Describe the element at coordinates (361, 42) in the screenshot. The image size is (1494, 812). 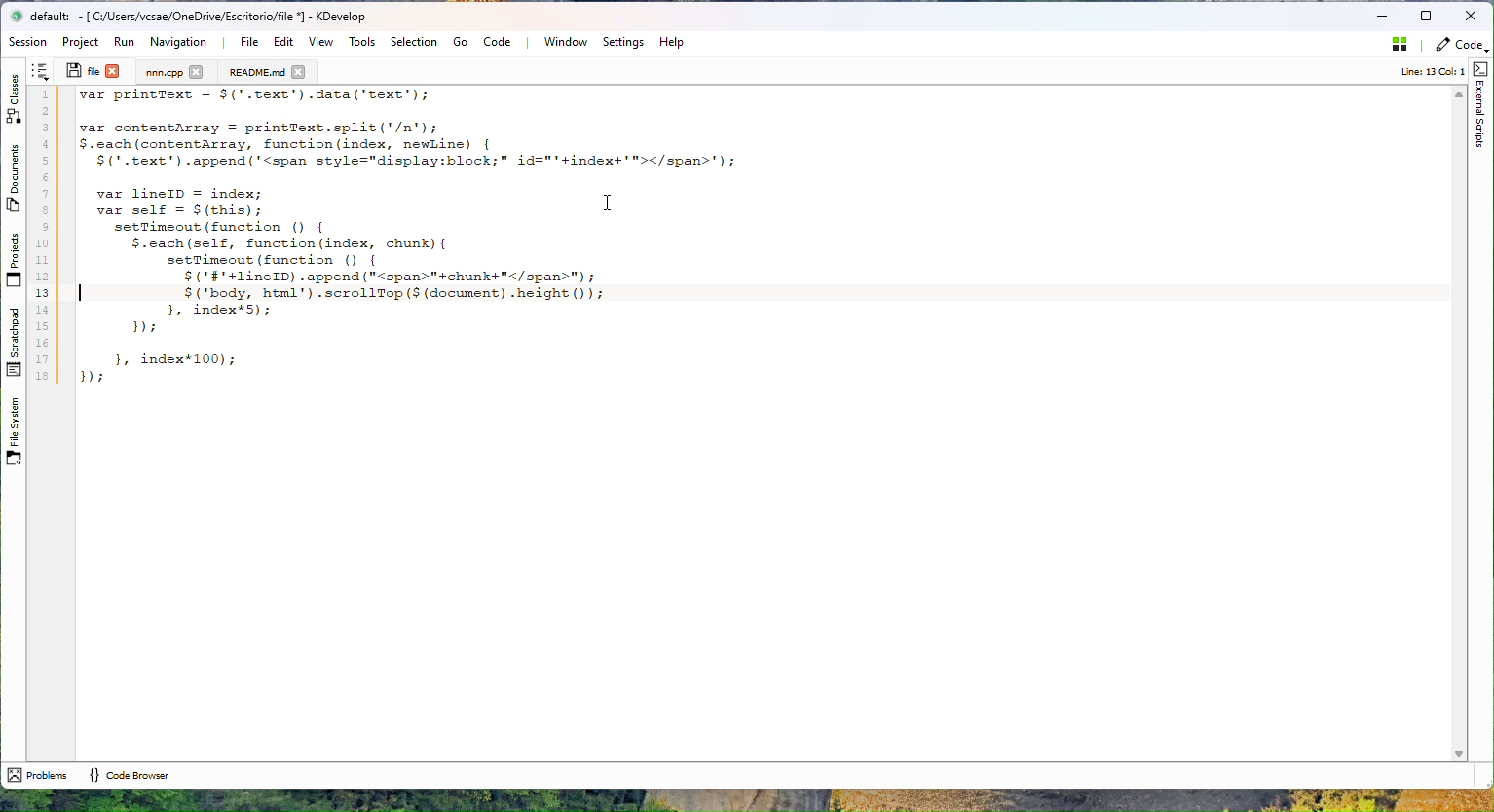
I see `Tools` at that location.